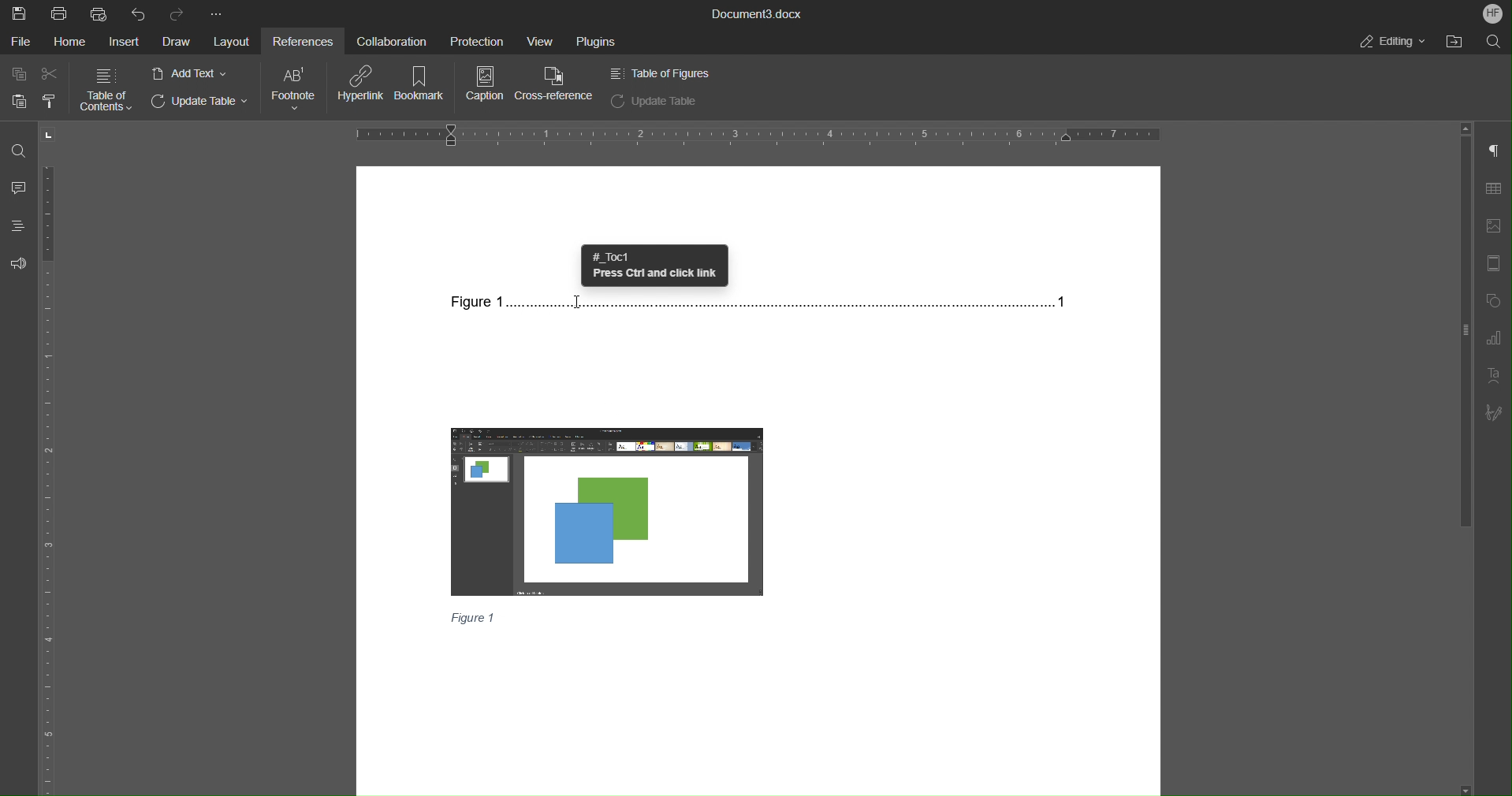 This screenshot has width=1512, height=796. Describe the element at coordinates (1492, 13) in the screenshot. I see `Account` at that location.